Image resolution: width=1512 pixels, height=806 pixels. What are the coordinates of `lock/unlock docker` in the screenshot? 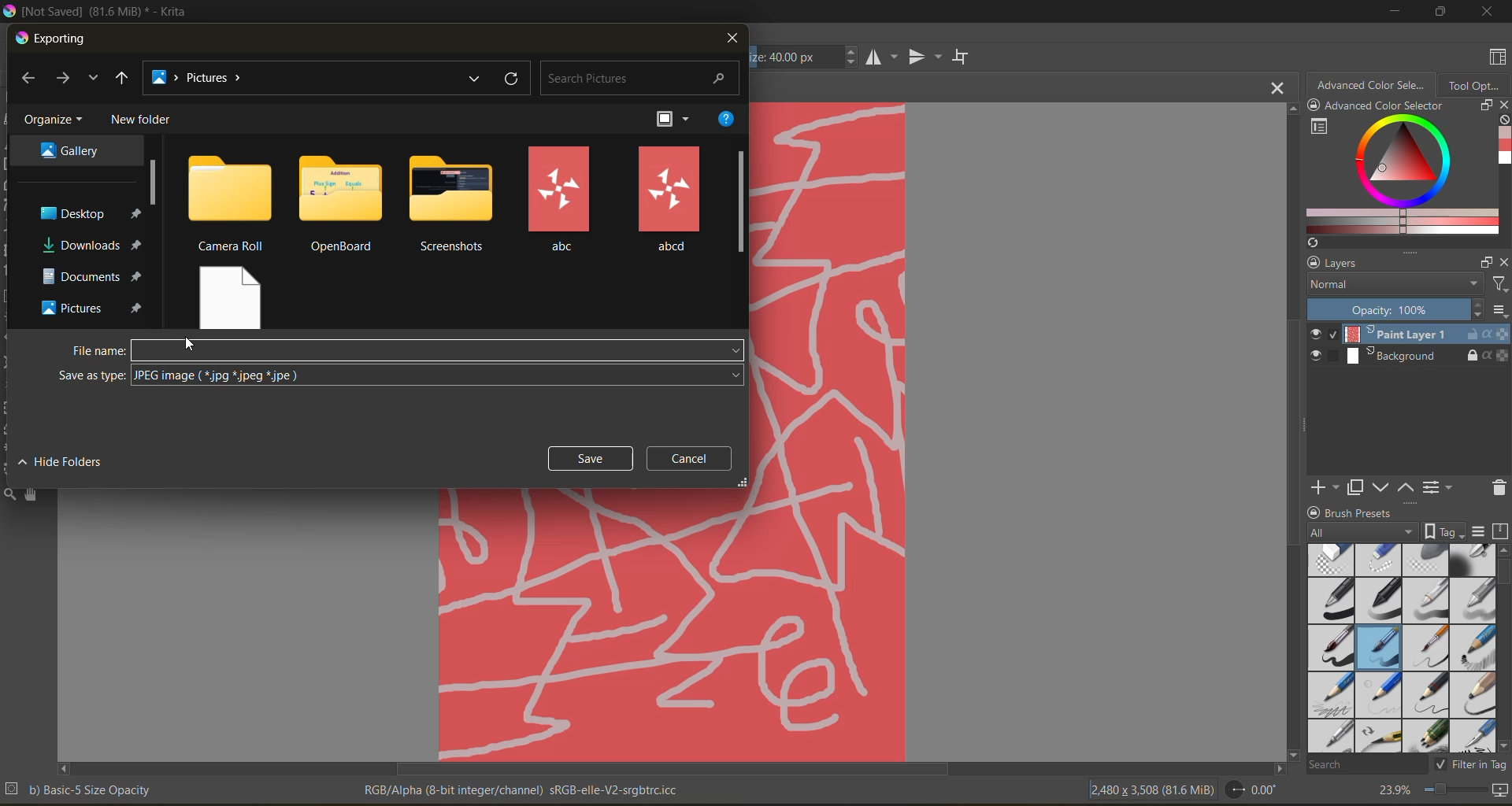 It's located at (1317, 107).